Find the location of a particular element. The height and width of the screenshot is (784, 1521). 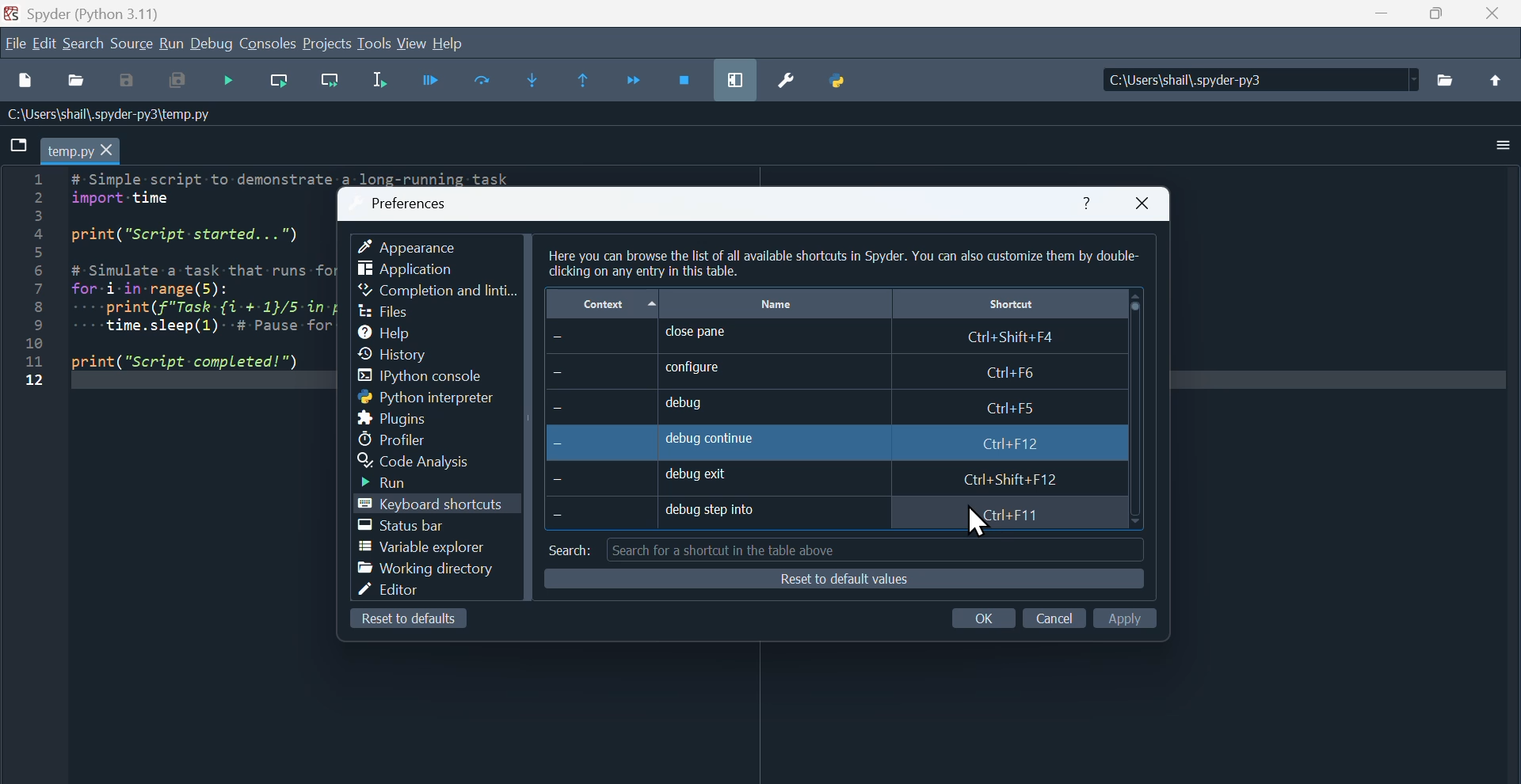

Stop debugging is located at coordinates (685, 76).